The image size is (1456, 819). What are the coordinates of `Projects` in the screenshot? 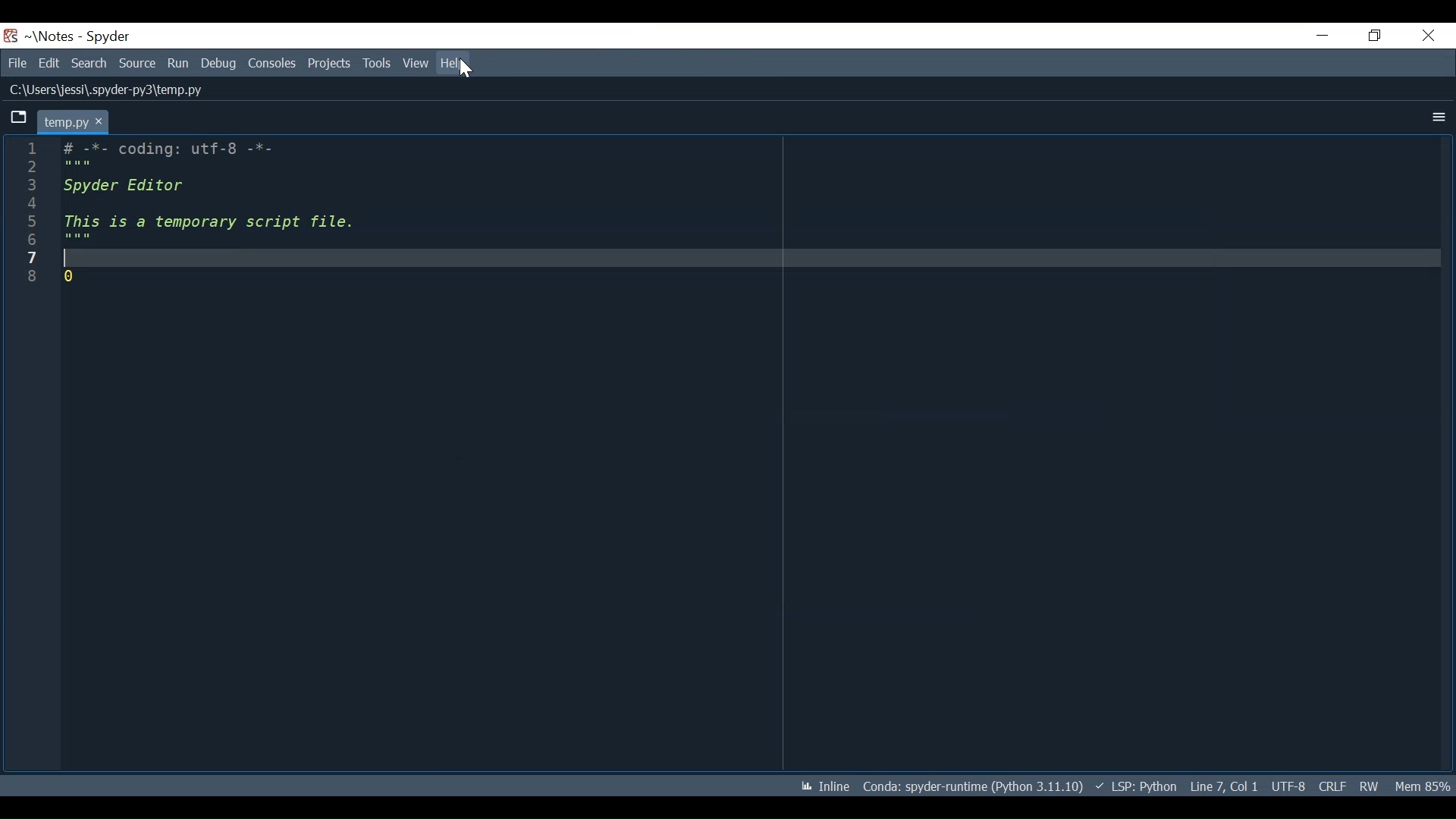 It's located at (329, 63).